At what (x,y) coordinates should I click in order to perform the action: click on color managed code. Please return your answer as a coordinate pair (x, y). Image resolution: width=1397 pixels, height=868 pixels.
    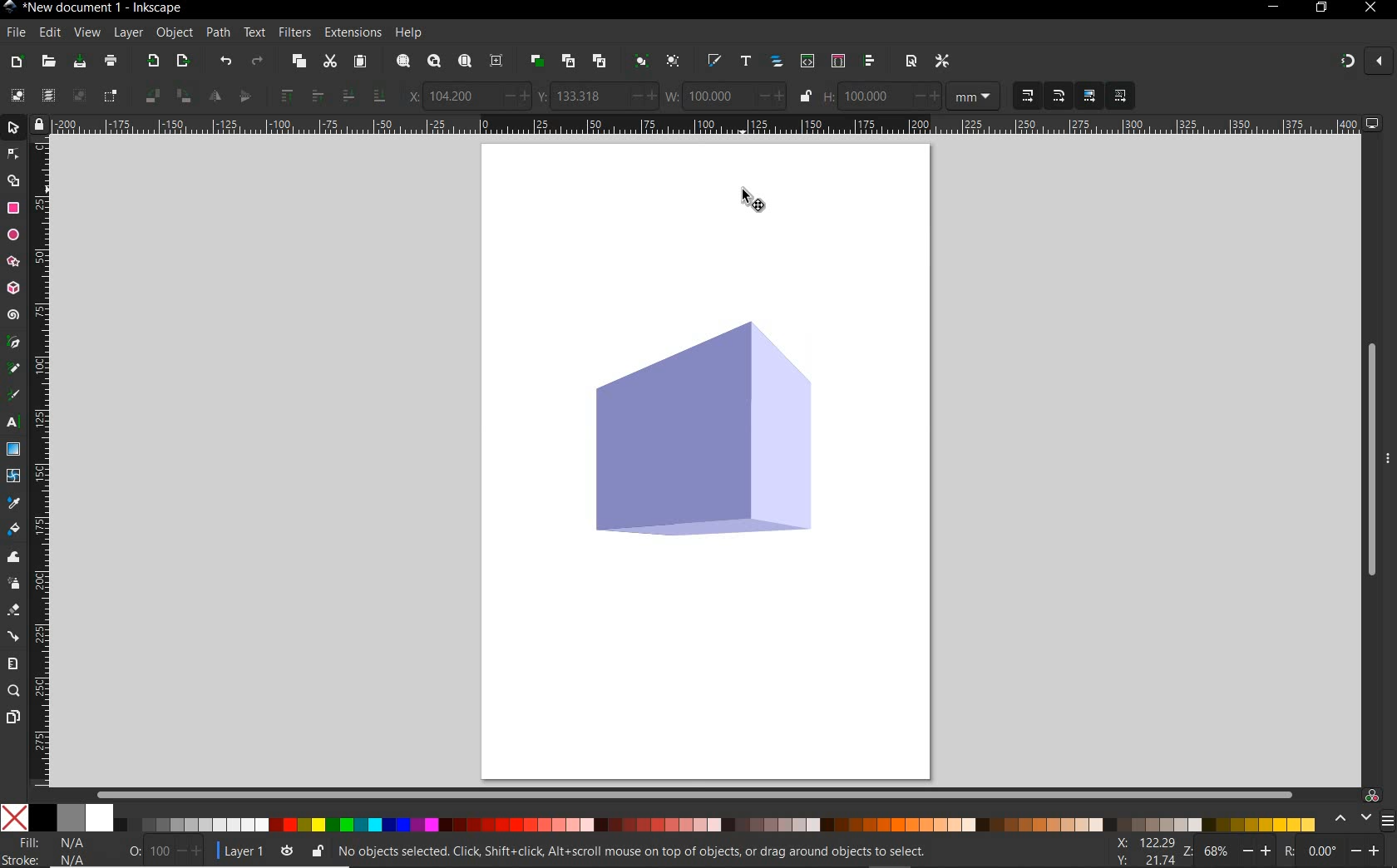
    Looking at the image, I should click on (1372, 796).